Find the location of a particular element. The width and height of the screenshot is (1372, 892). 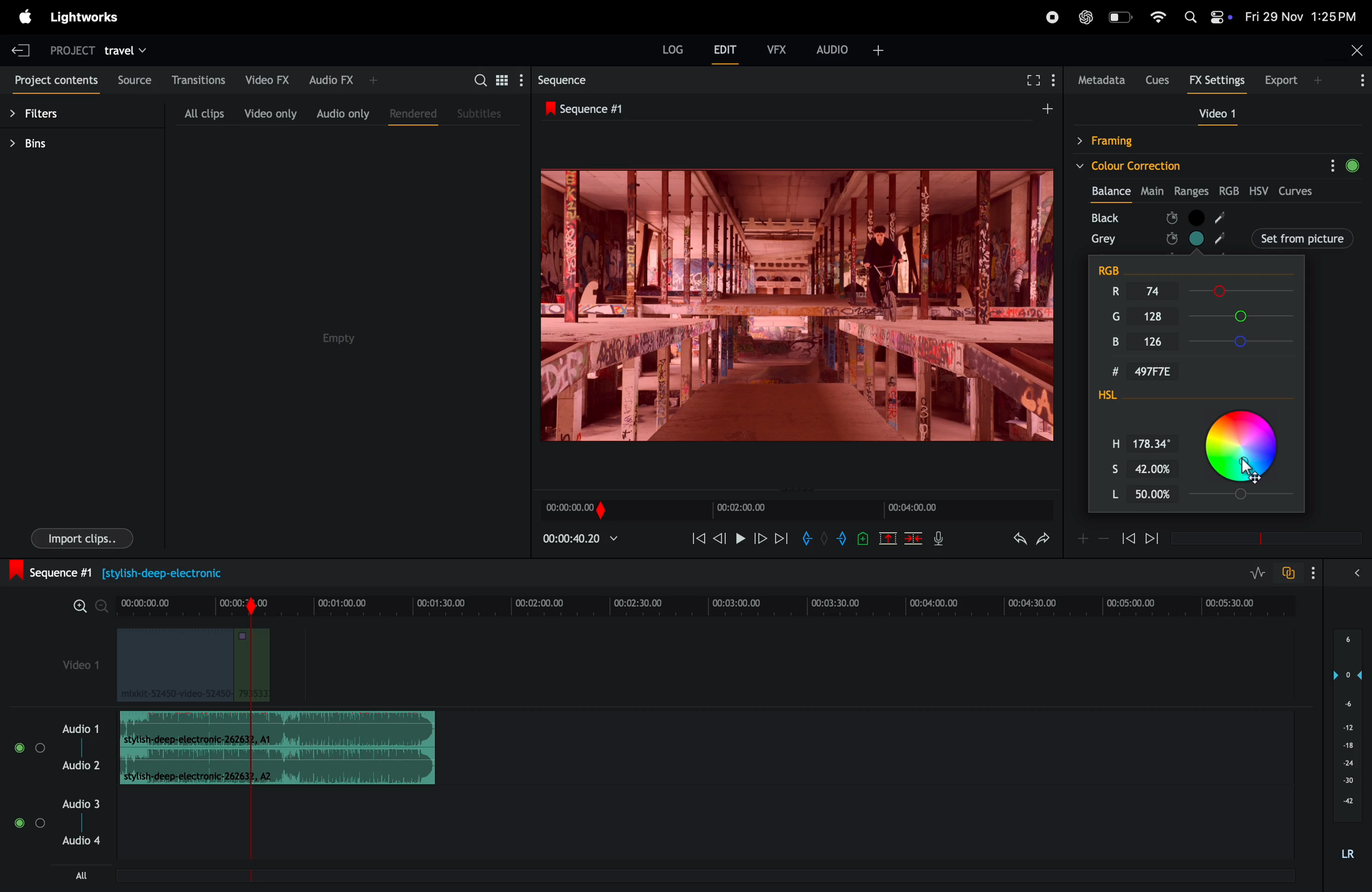

audio 1 is located at coordinates (78, 728).